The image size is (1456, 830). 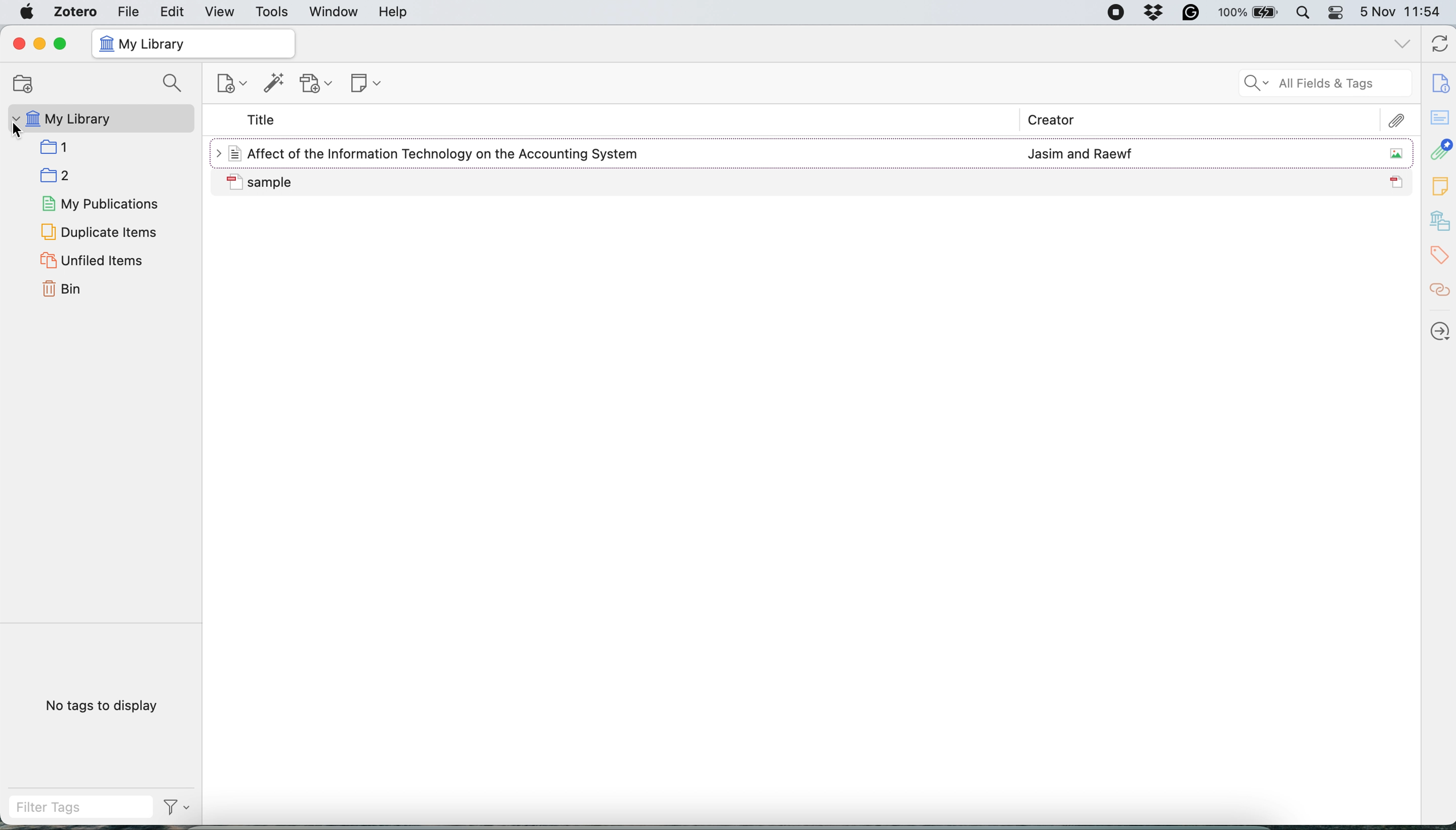 What do you see at coordinates (126, 13) in the screenshot?
I see `file` at bounding box center [126, 13].